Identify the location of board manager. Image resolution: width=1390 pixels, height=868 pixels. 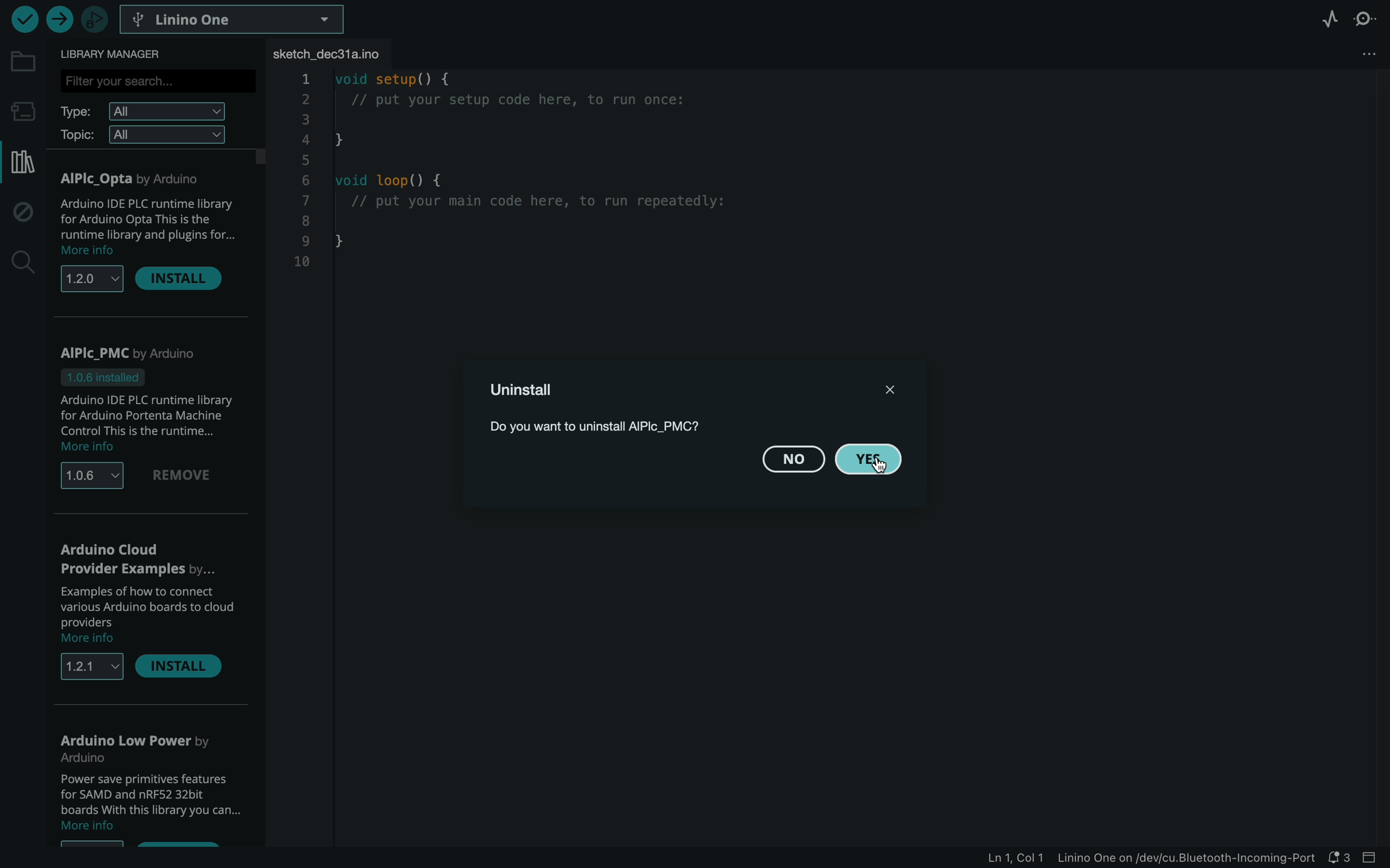
(21, 110).